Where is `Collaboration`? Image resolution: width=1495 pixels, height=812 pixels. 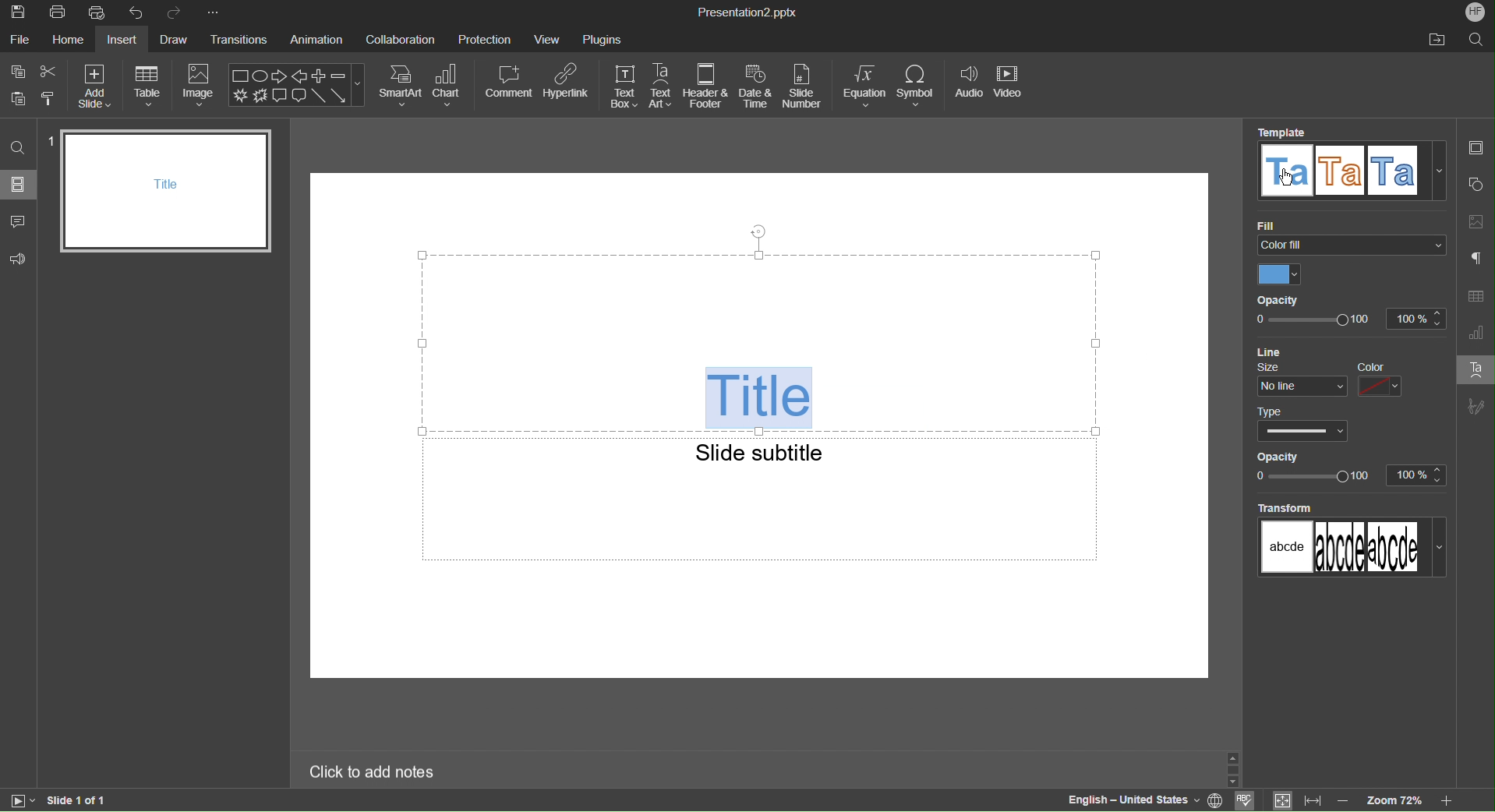 Collaboration is located at coordinates (401, 40).